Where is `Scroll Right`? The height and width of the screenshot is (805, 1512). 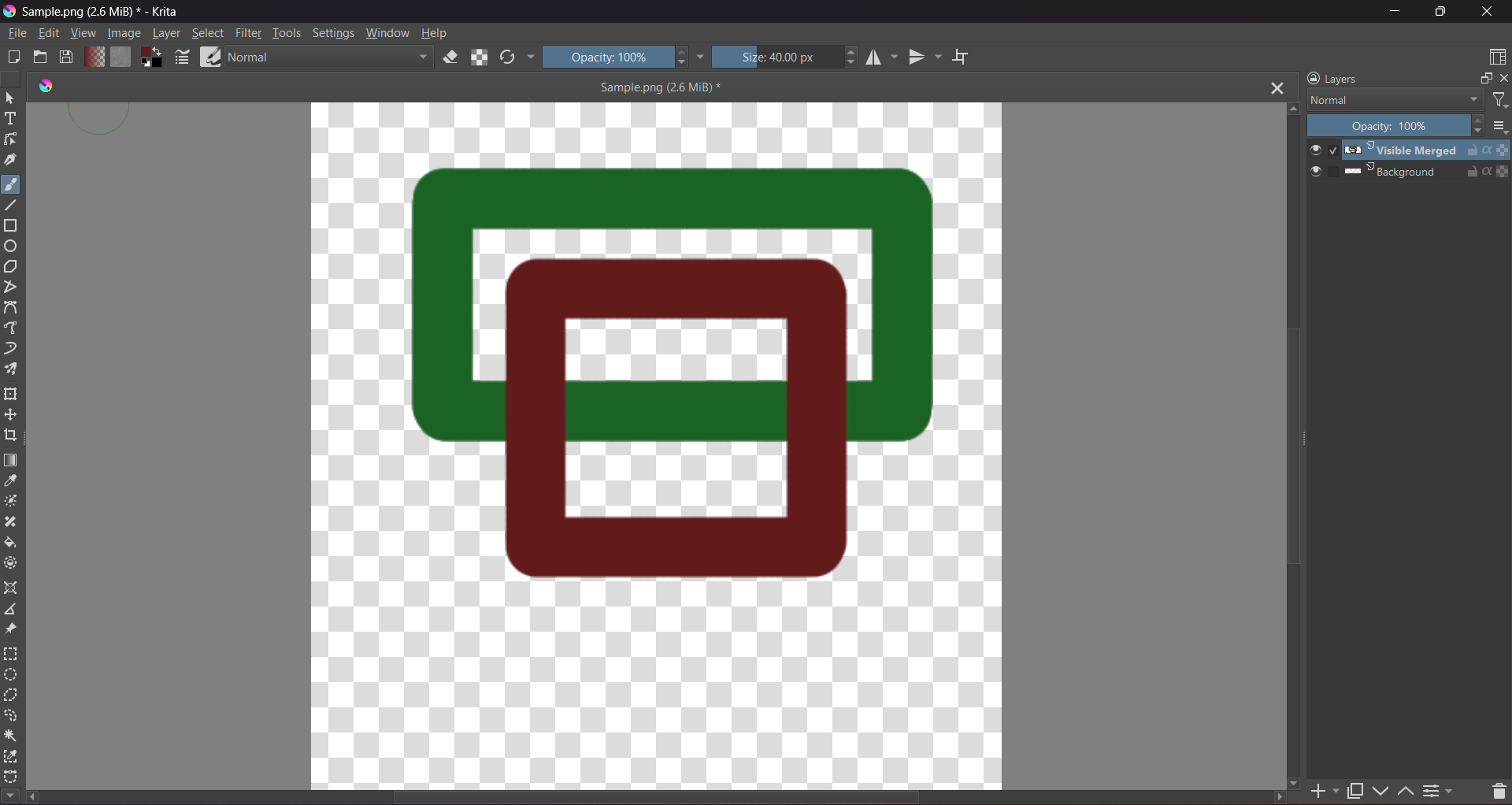 Scroll Right is located at coordinates (1277, 796).